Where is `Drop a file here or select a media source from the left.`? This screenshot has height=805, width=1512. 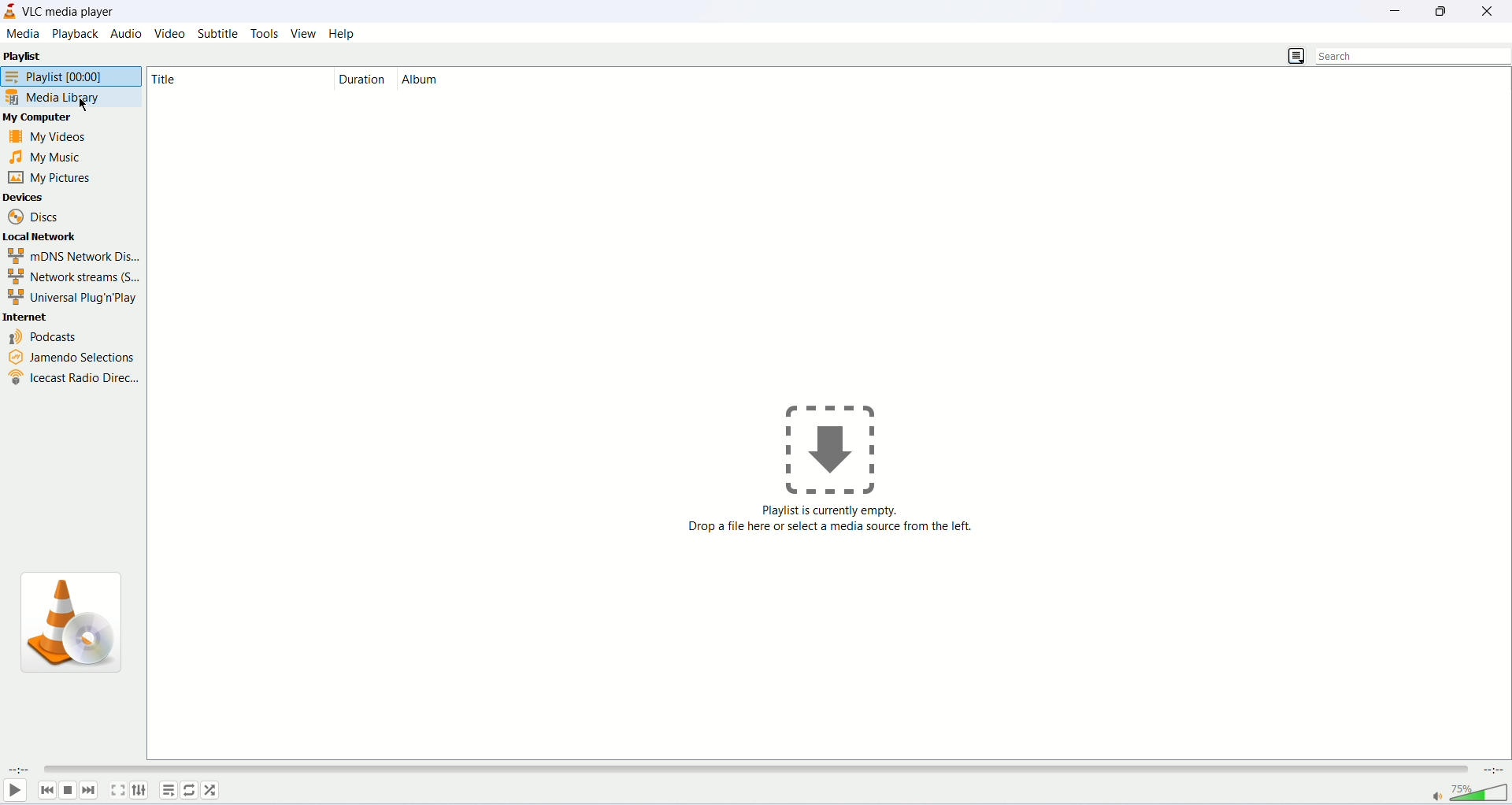 Drop a file here or select a media source from the left. is located at coordinates (832, 531).